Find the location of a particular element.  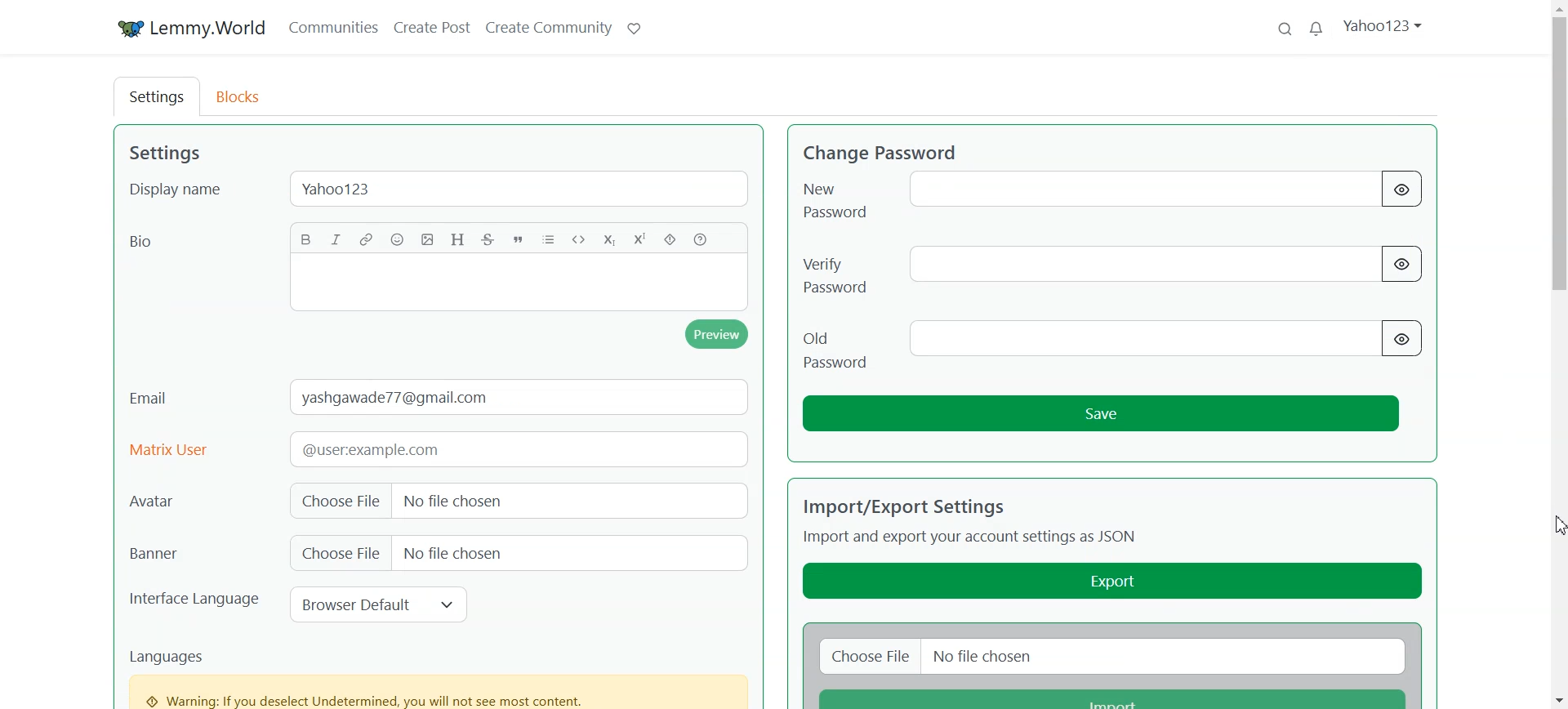

change password is located at coordinates (884, 153).